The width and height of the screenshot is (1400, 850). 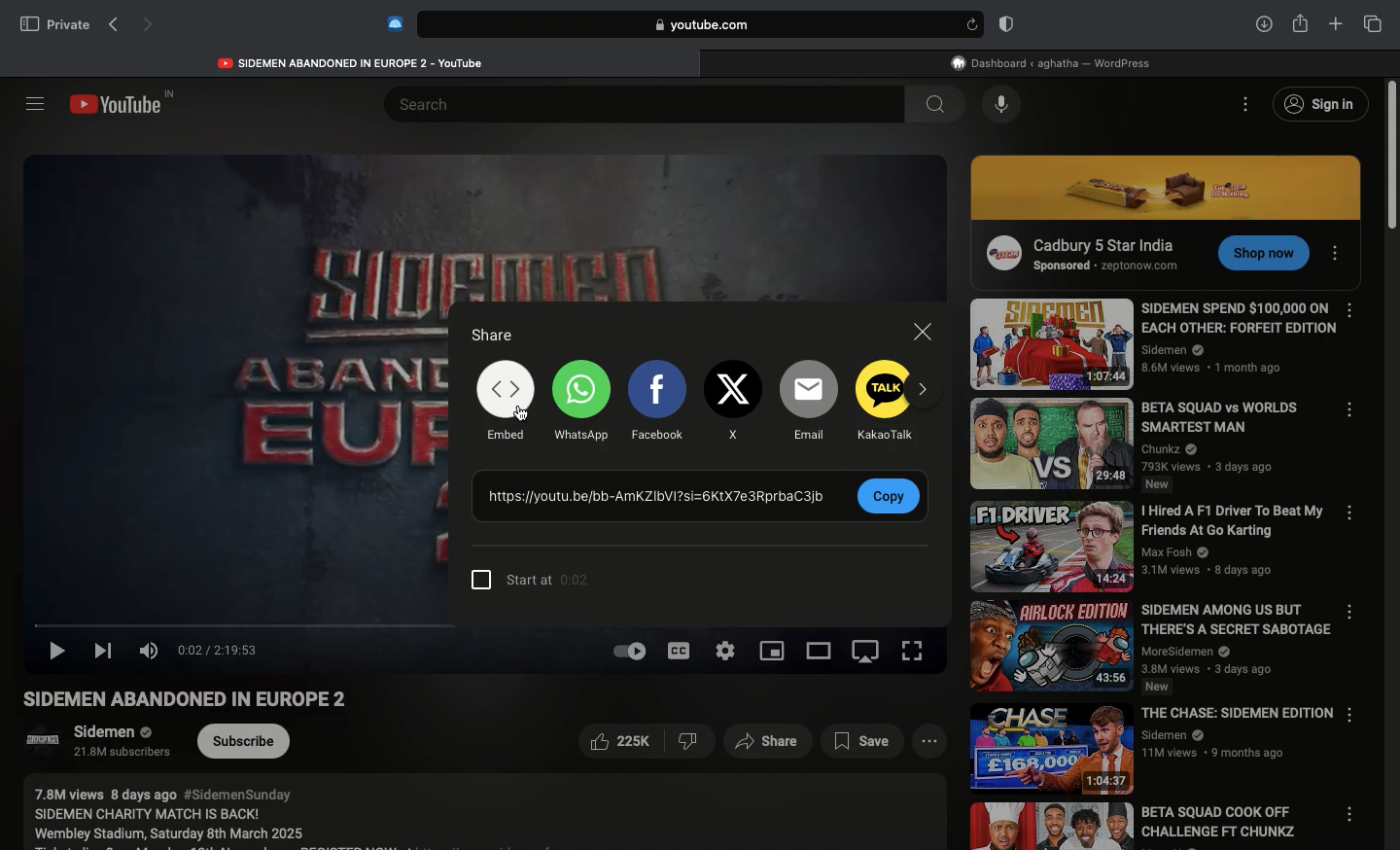 What do you see at coordinates (113, 25) in the screenshot?
I see `Previous page` at bounding box center [113, 25].